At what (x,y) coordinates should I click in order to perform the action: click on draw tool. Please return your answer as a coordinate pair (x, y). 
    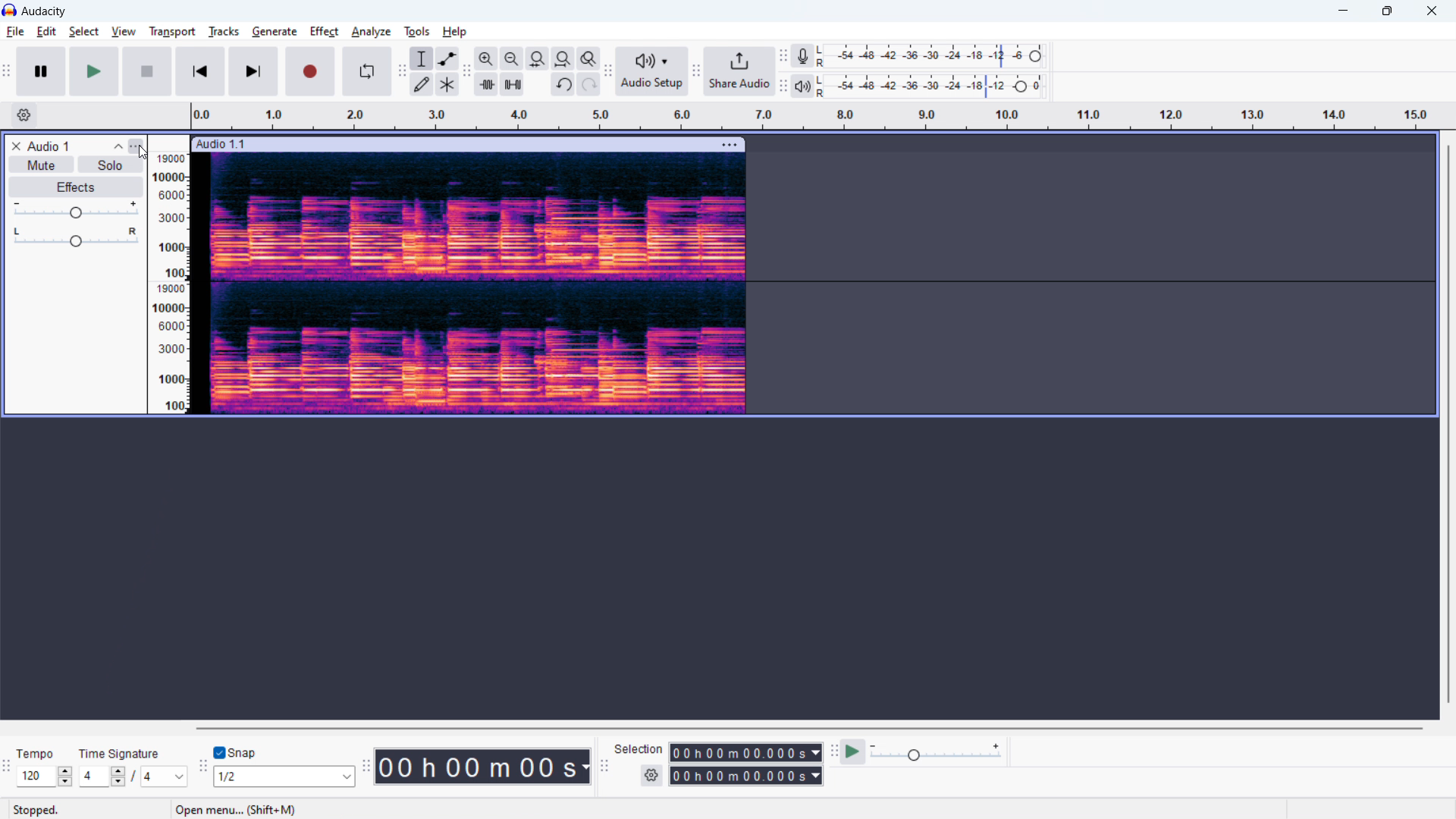
    Looking at the image, I should click on (423, 83).